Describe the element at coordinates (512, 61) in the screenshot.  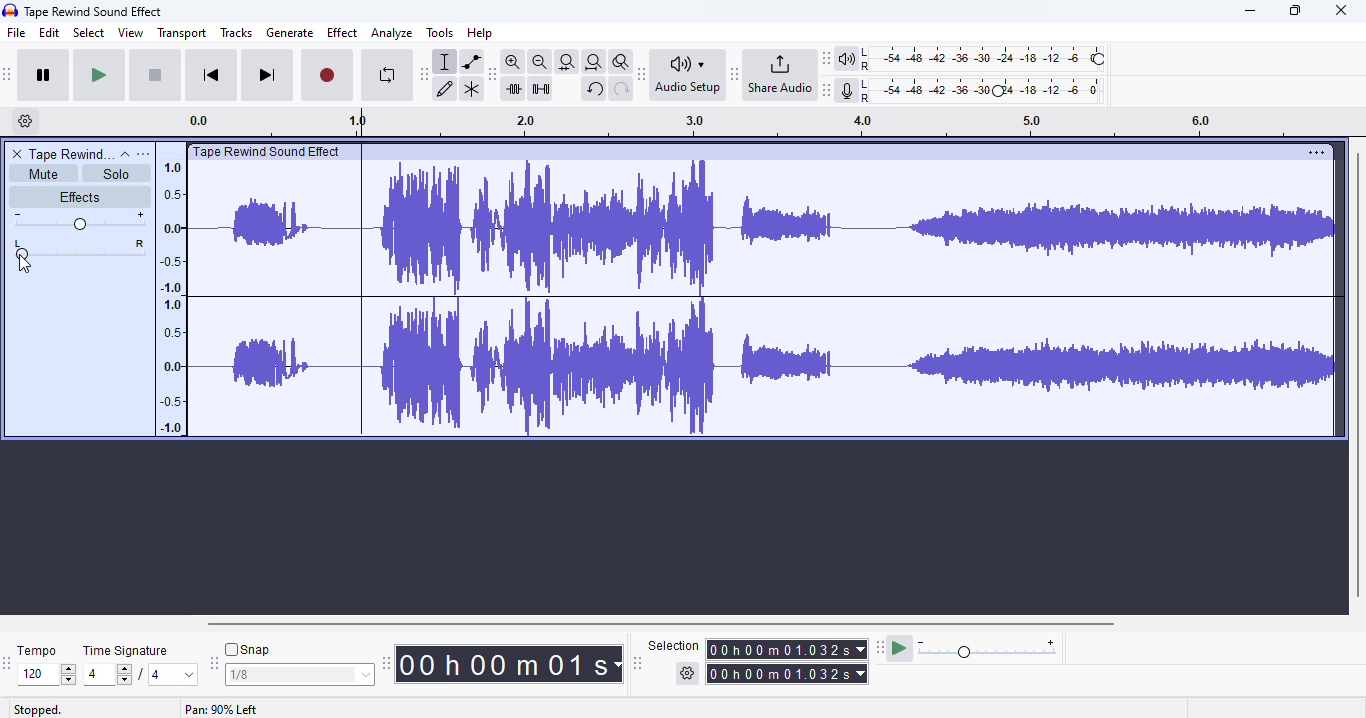
I see `zoom in` at that location.